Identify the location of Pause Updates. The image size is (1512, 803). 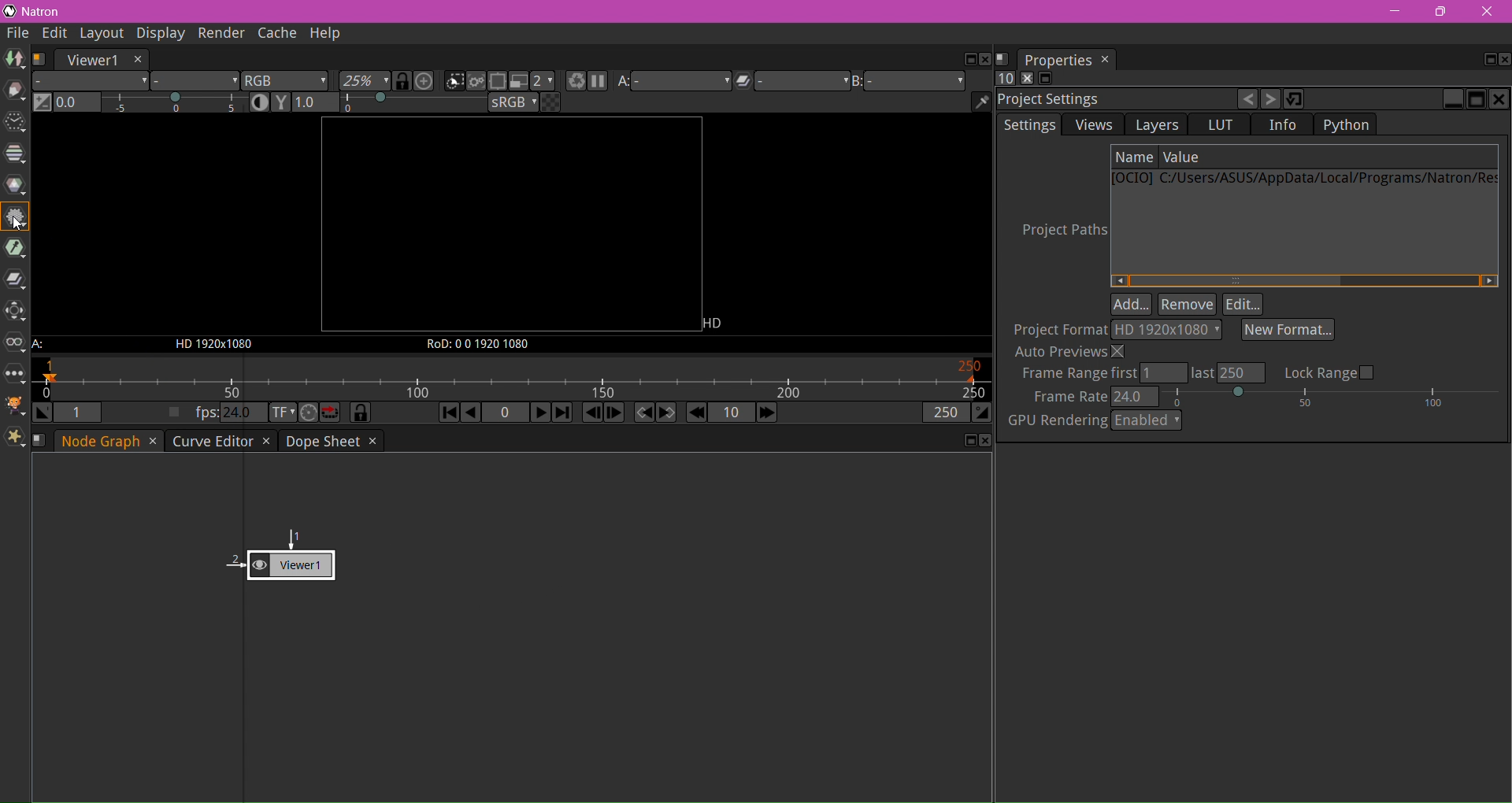
(597, 83).